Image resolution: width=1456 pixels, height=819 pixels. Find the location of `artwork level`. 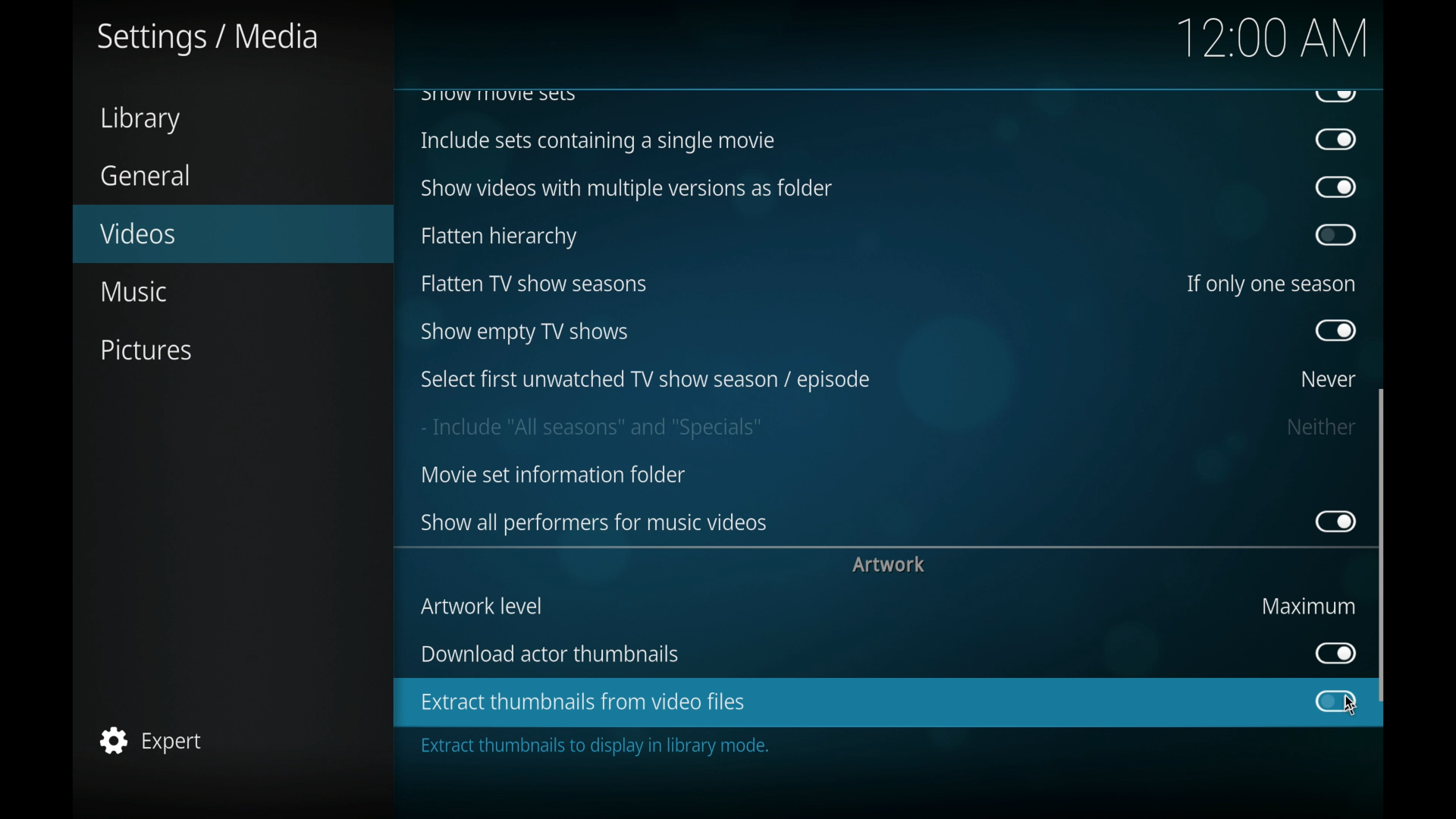

artwork level is located at coordinates (481, 606).